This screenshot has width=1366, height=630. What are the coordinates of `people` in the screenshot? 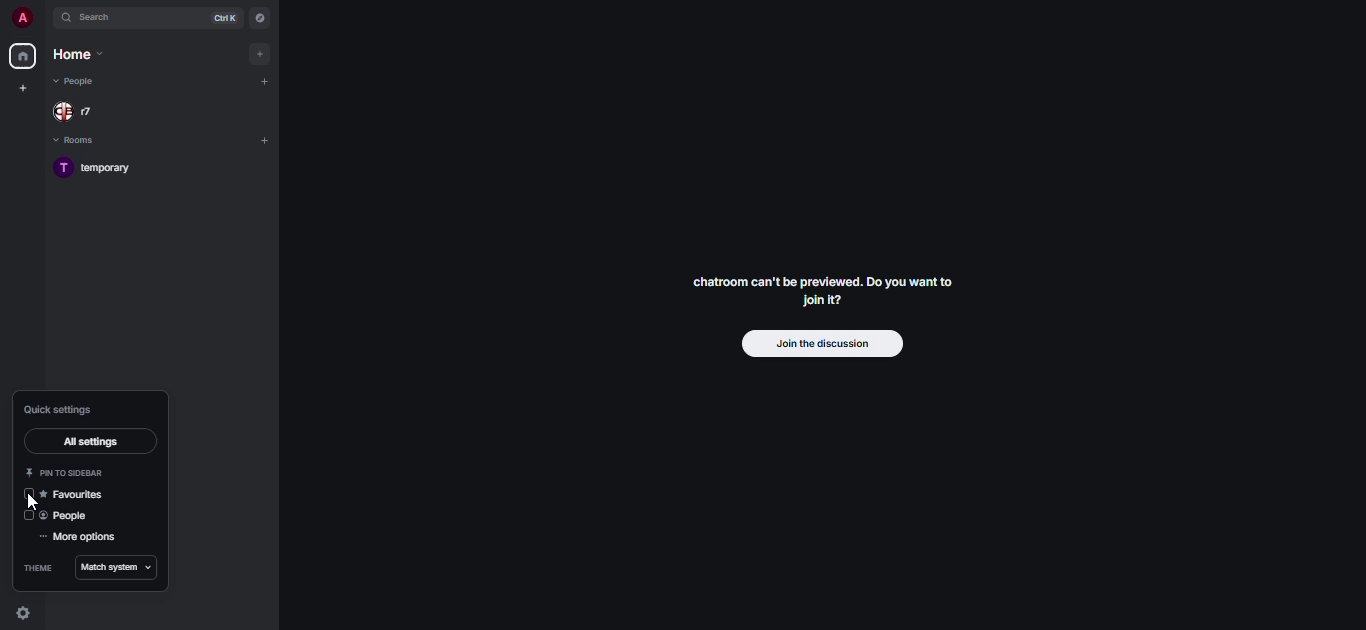 It's located at (70, 517).